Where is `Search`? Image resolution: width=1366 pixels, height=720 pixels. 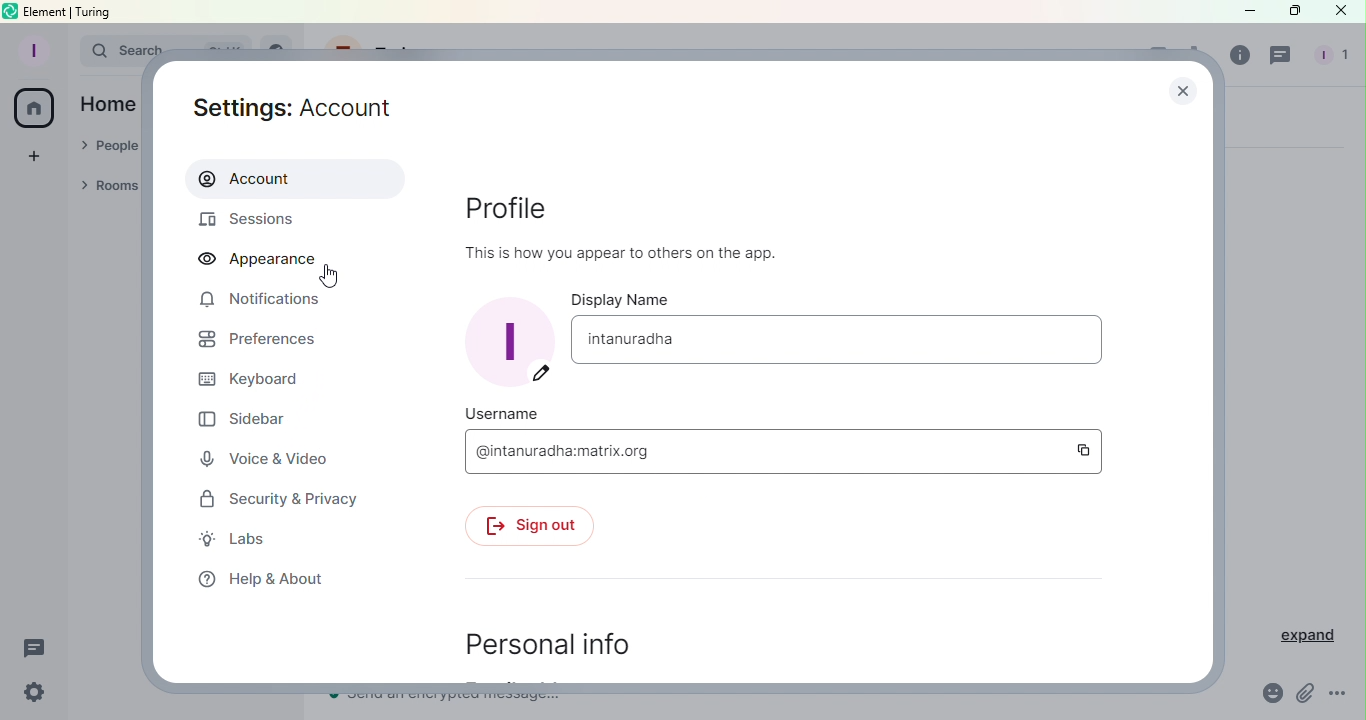
Search is located at coordinates (108, 49).